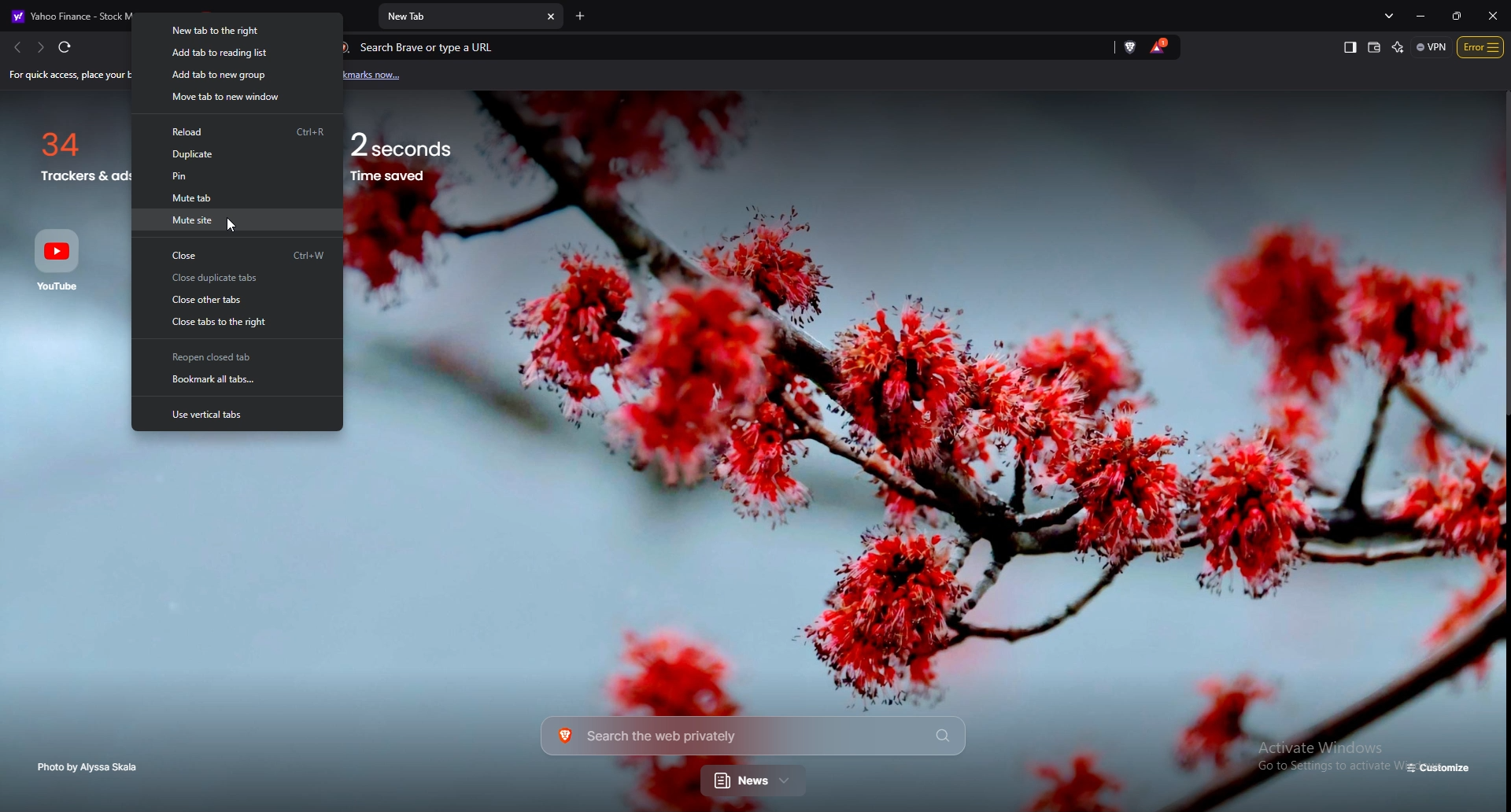 This screenshot has height=812, width=1511. I want to click on Search Brave or type a URL, so click(712, 47).